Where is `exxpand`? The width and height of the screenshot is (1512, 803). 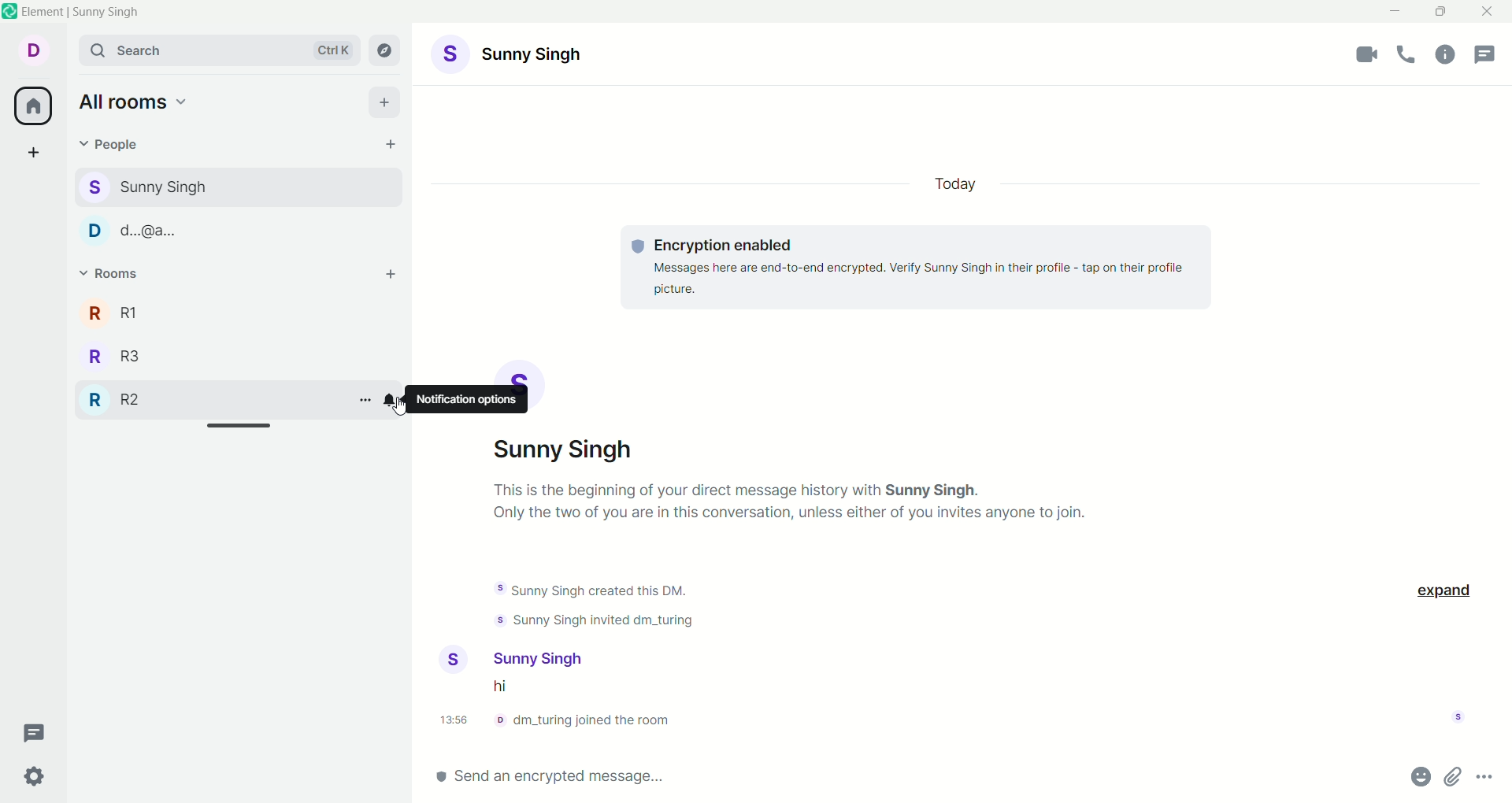
exxpand is located at coordinates (1445, 589).